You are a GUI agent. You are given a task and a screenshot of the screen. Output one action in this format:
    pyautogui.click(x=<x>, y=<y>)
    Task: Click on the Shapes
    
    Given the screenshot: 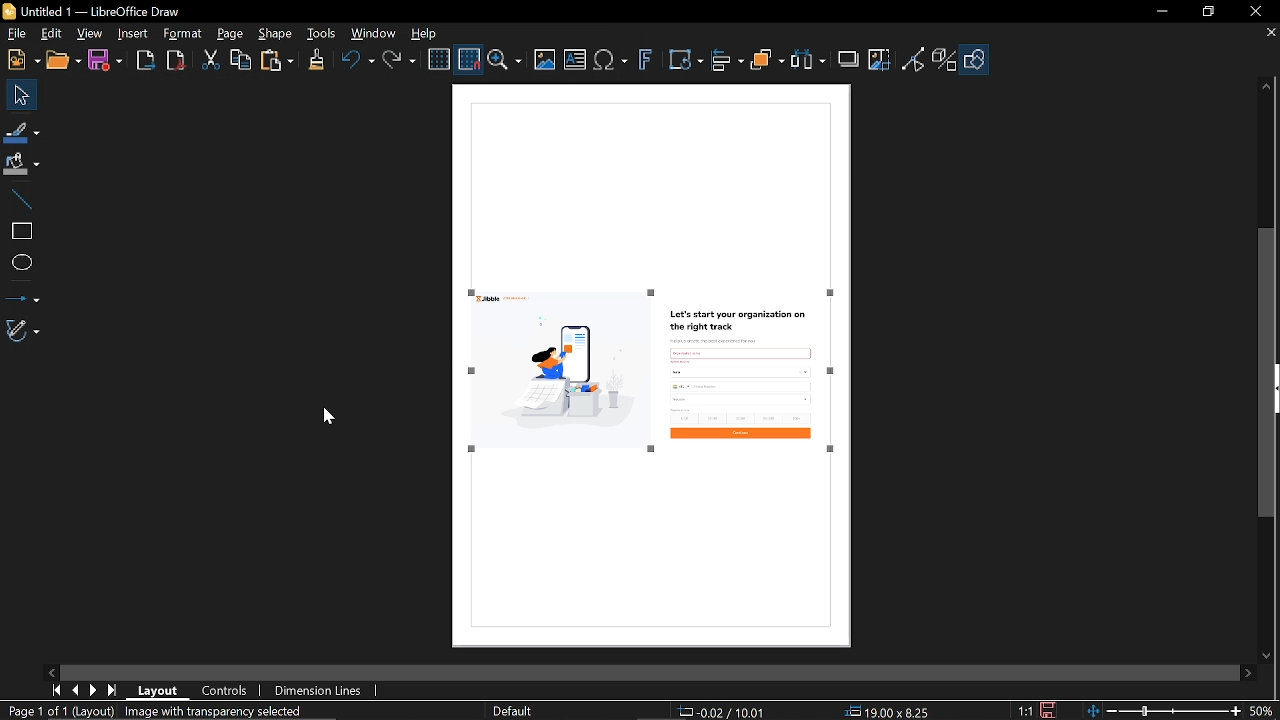 What is the action you would take?
    pyautogui.click(x=978, y=59)
    